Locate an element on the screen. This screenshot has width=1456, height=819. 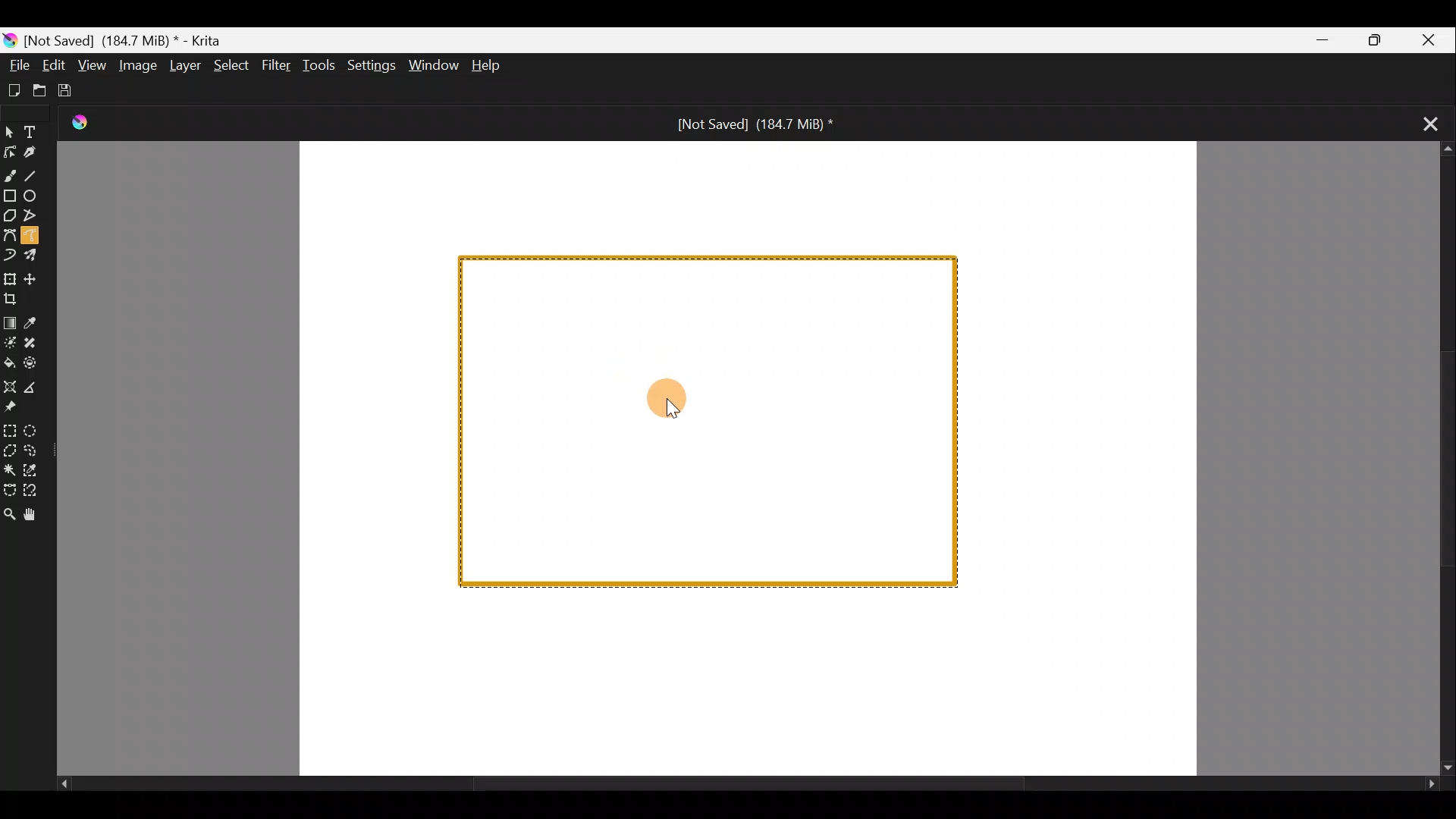
Sample a colour is located at coordinates (33, 323).